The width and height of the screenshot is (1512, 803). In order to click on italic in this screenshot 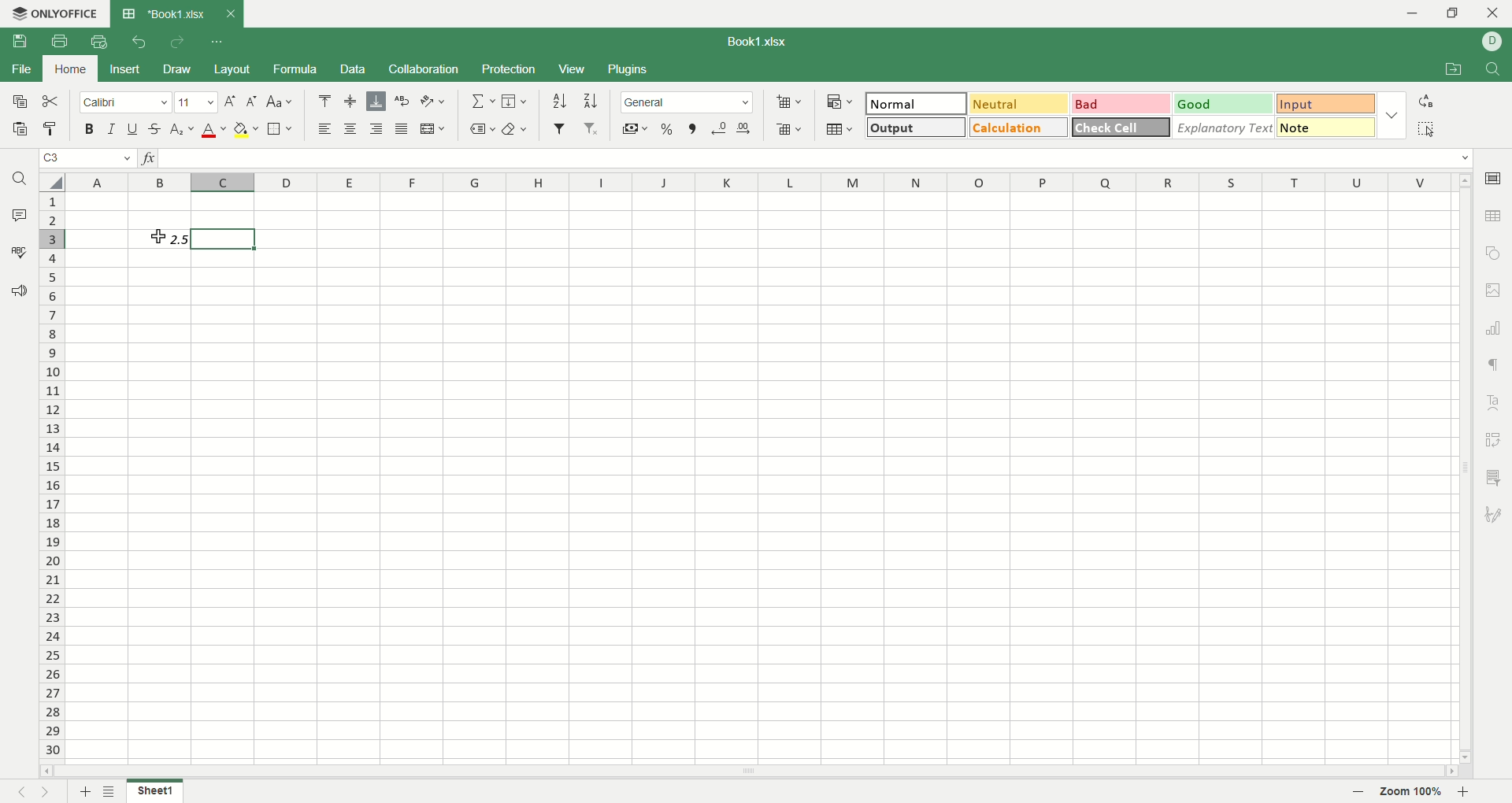, I will do `click(112, 128)`.